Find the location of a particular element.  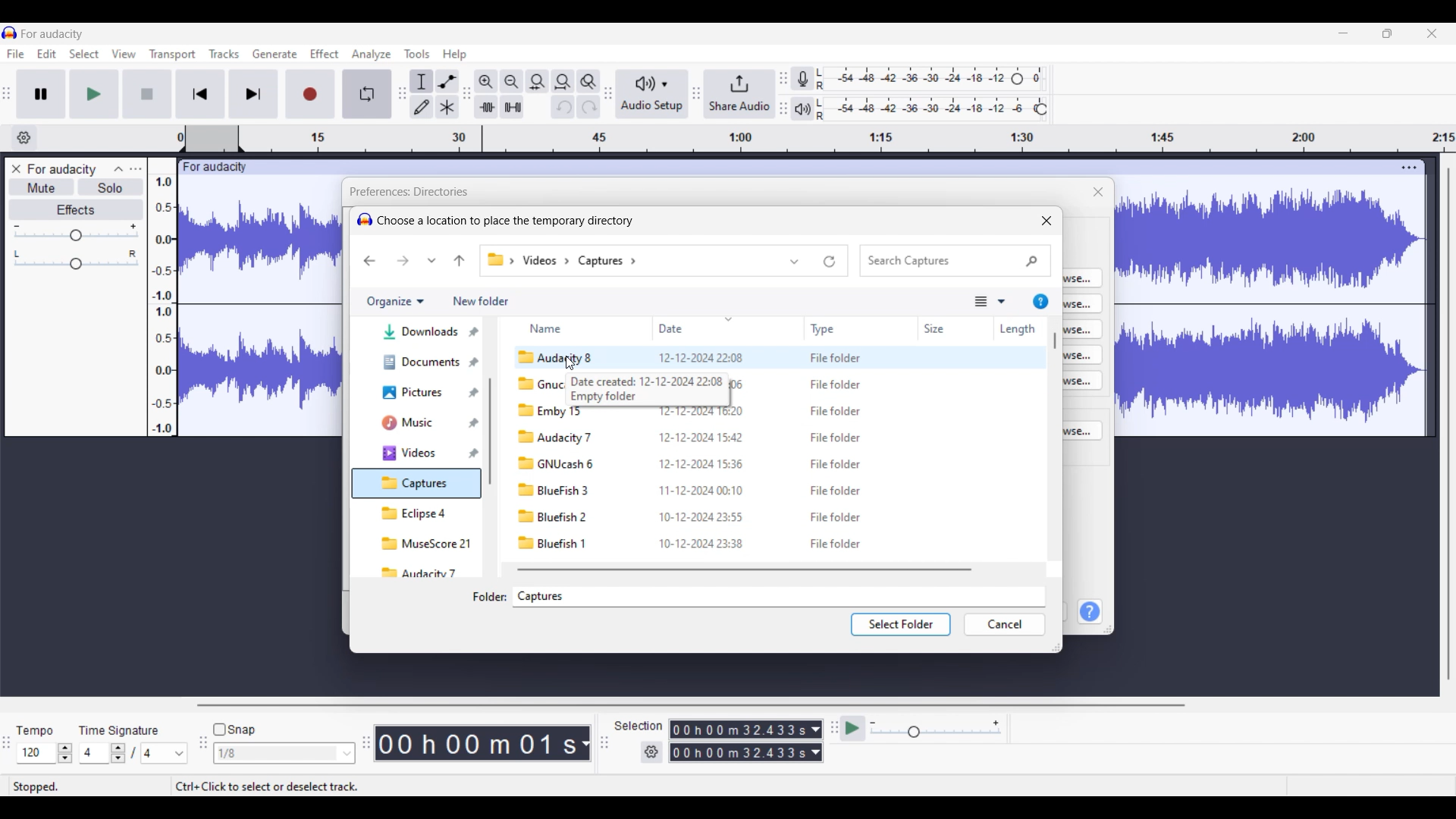

Status of current track is located at coordinates (38, 786).